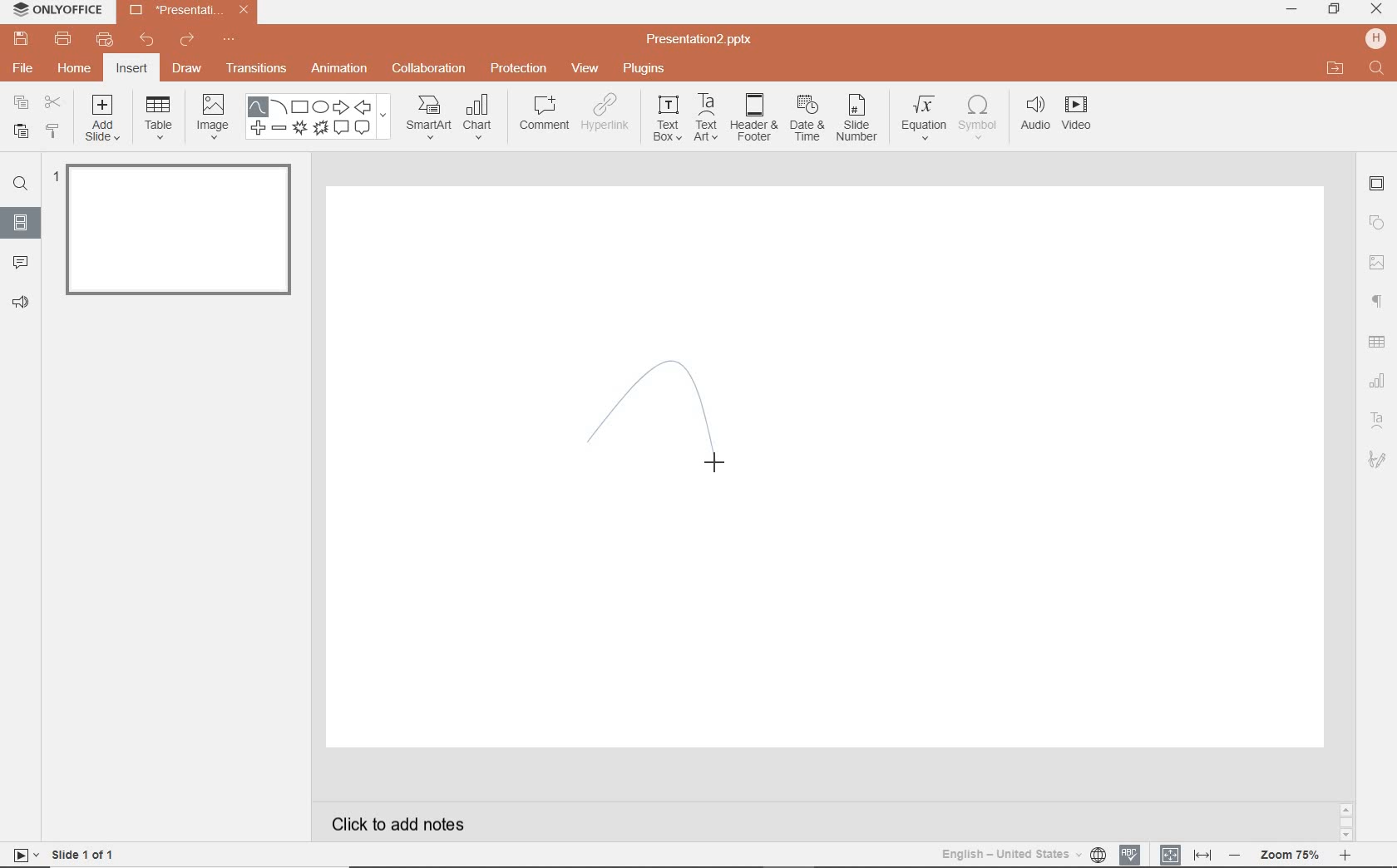 The width and height of the screenshot is (1397, 868). I want to click on COMMENTS, so click(18, 261).